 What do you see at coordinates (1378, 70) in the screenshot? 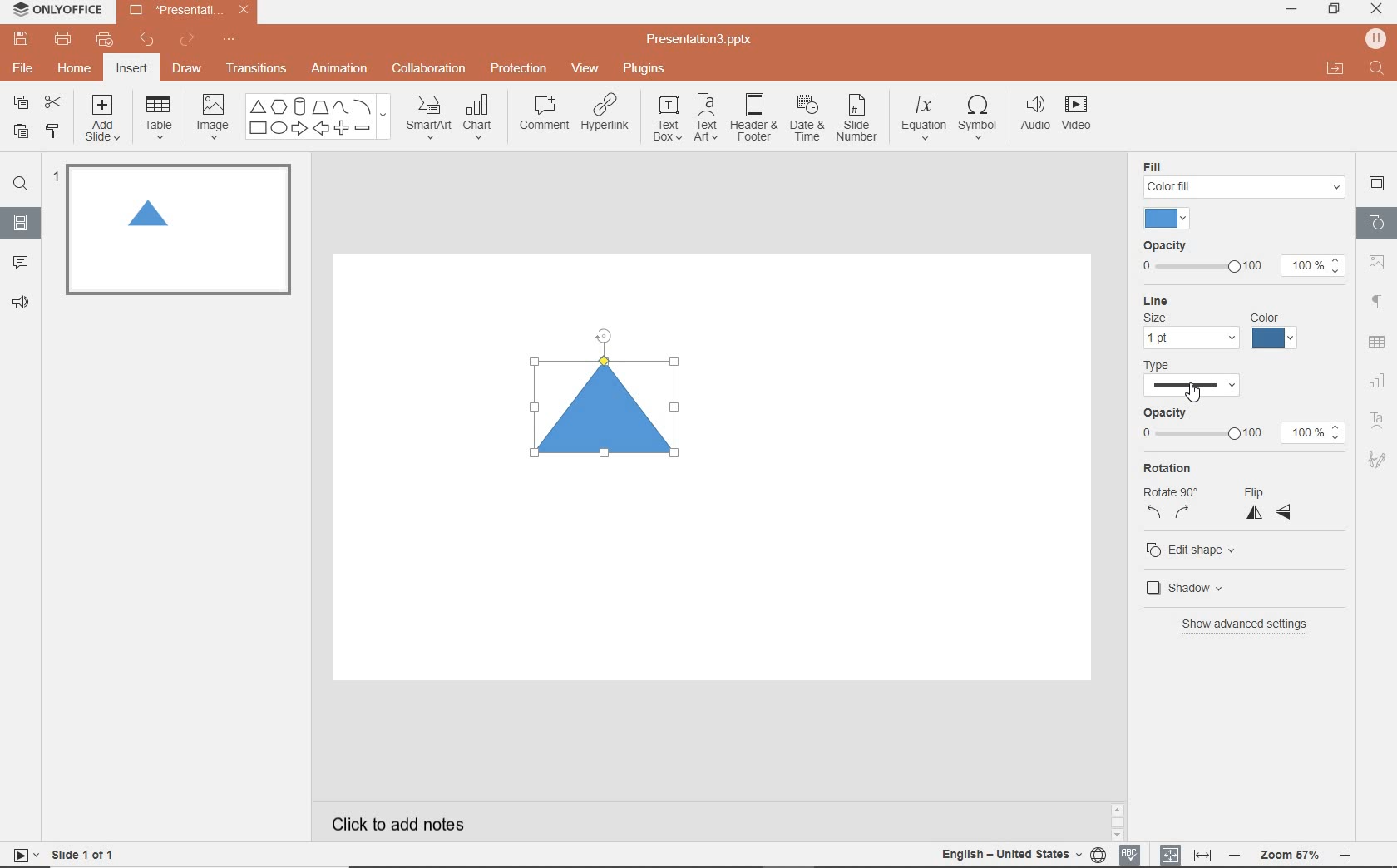
I see `FIND` at bounding box center [1378, 70].